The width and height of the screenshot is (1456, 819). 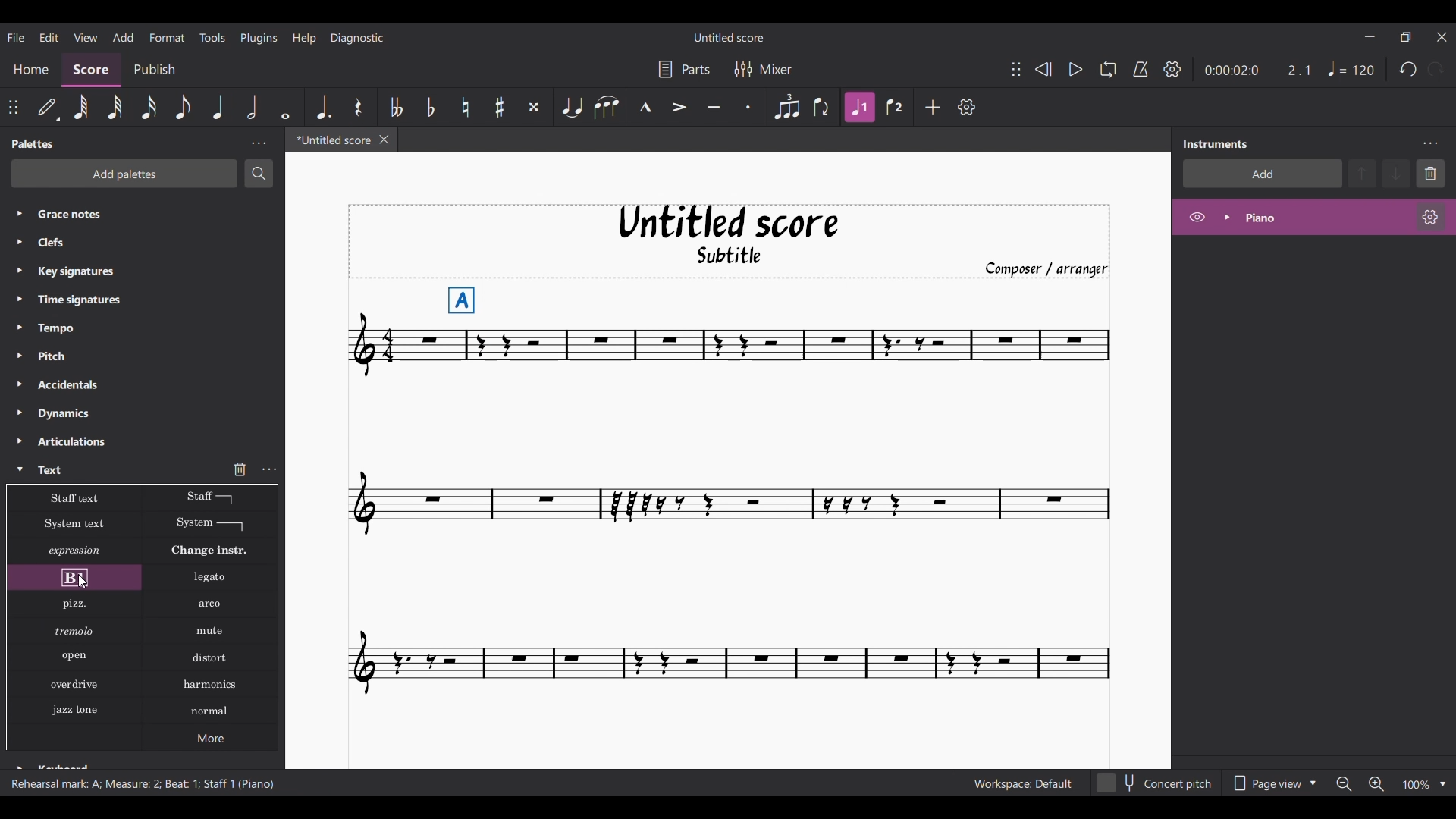 I want to click on Piano settings, so click(x=1430, y=217).